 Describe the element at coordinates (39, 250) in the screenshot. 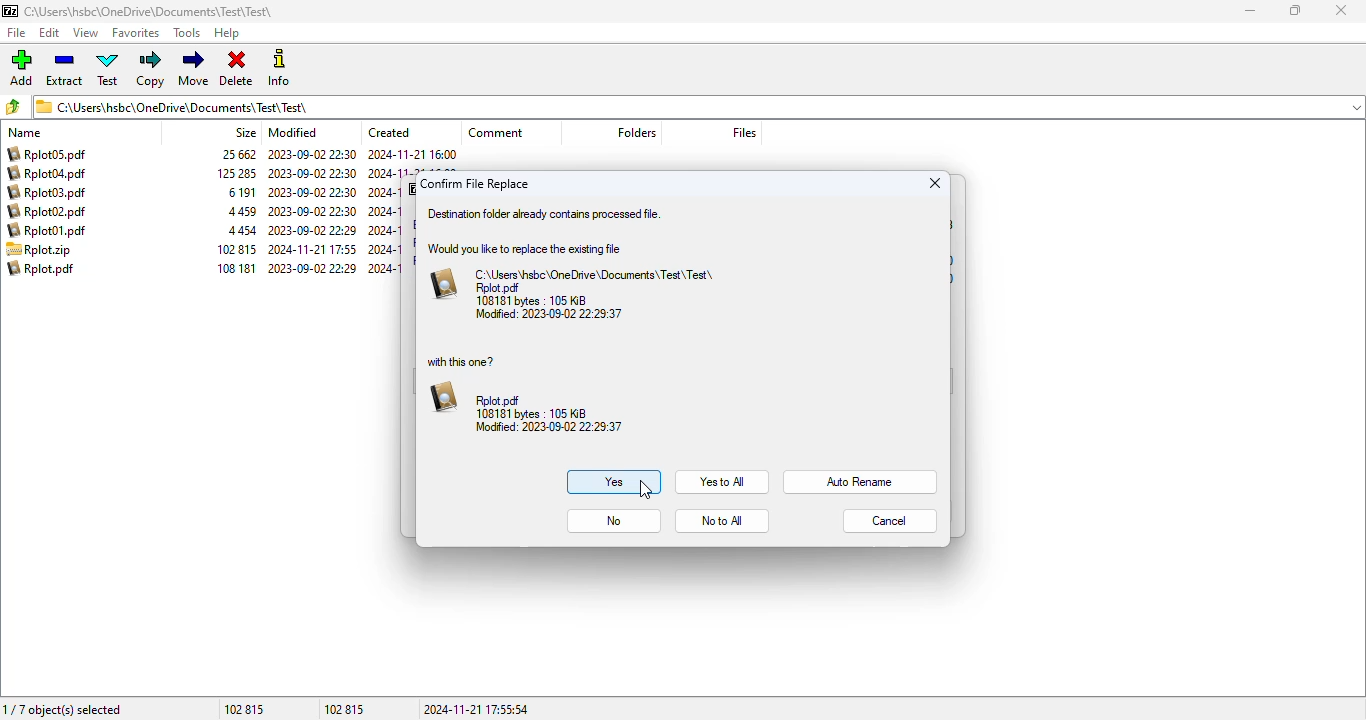

I see `Rplot.zip` at that location.